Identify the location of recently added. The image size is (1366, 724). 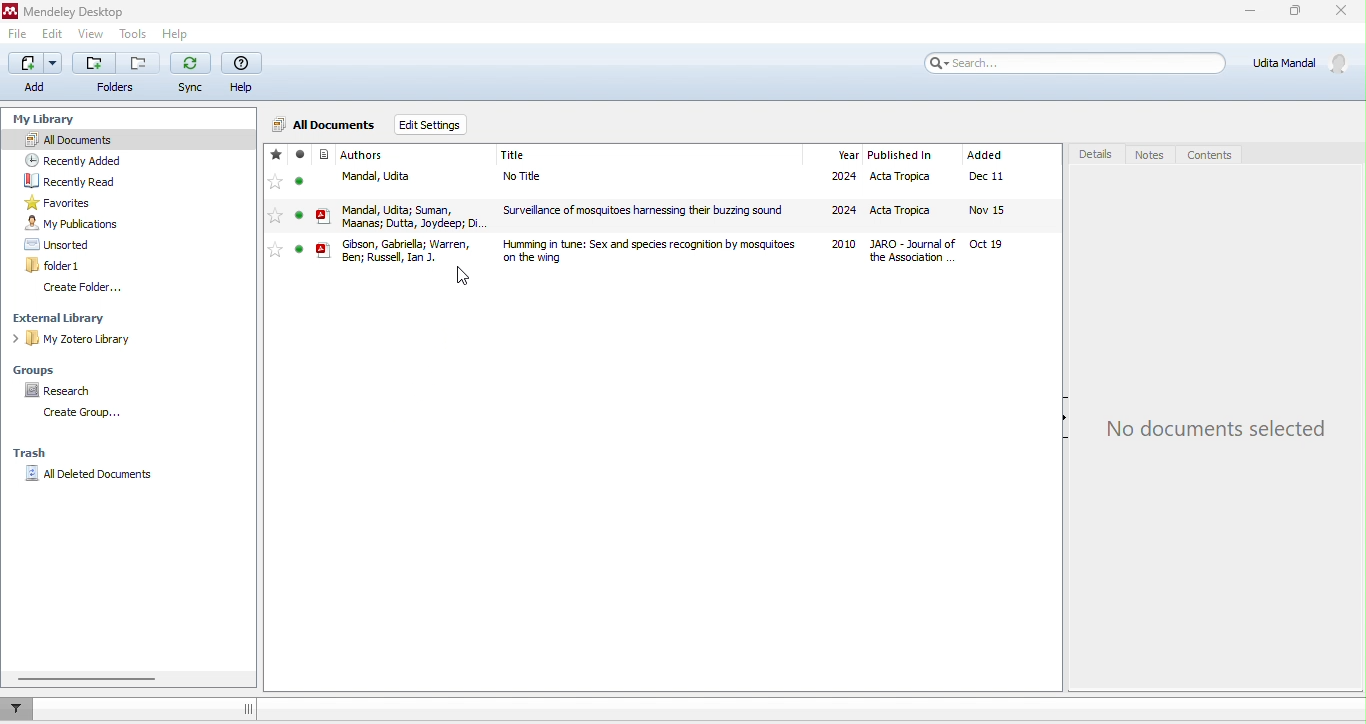
(72, 159).